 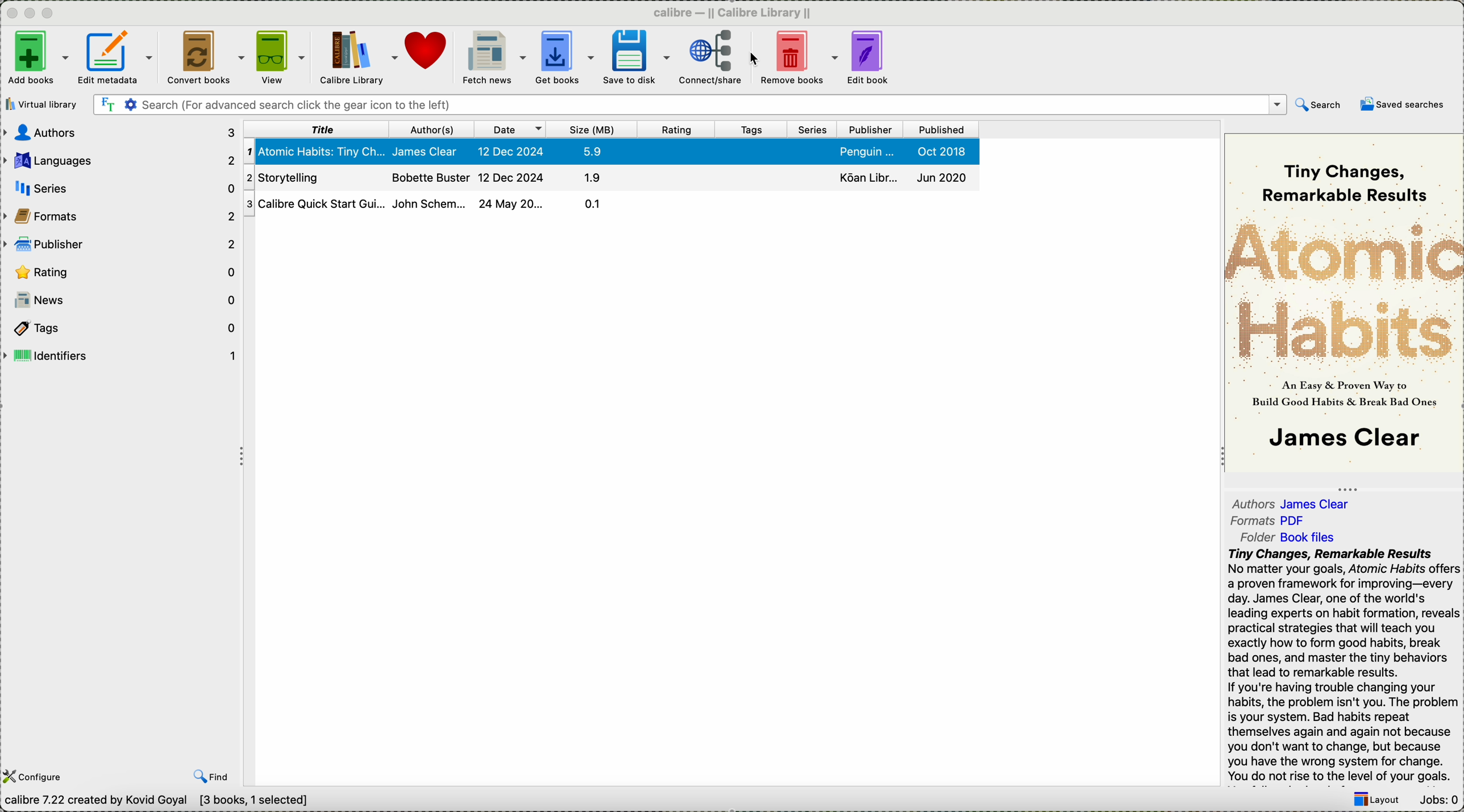 I want to click on fetch news, so click(x=492, y=58).